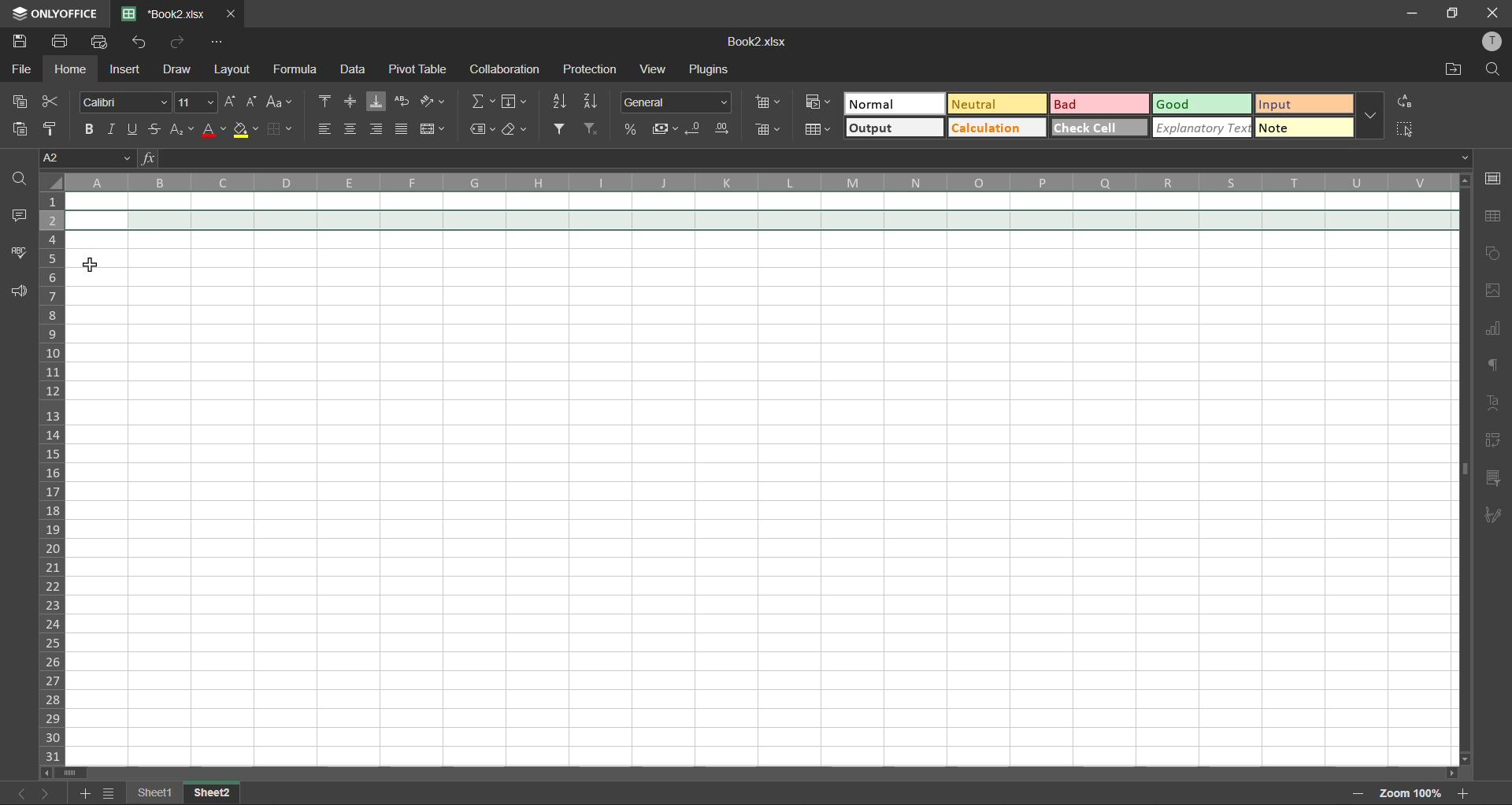 The width and height of the screenshot is (1512, 805). I want to click on borders, so click(282, 128).